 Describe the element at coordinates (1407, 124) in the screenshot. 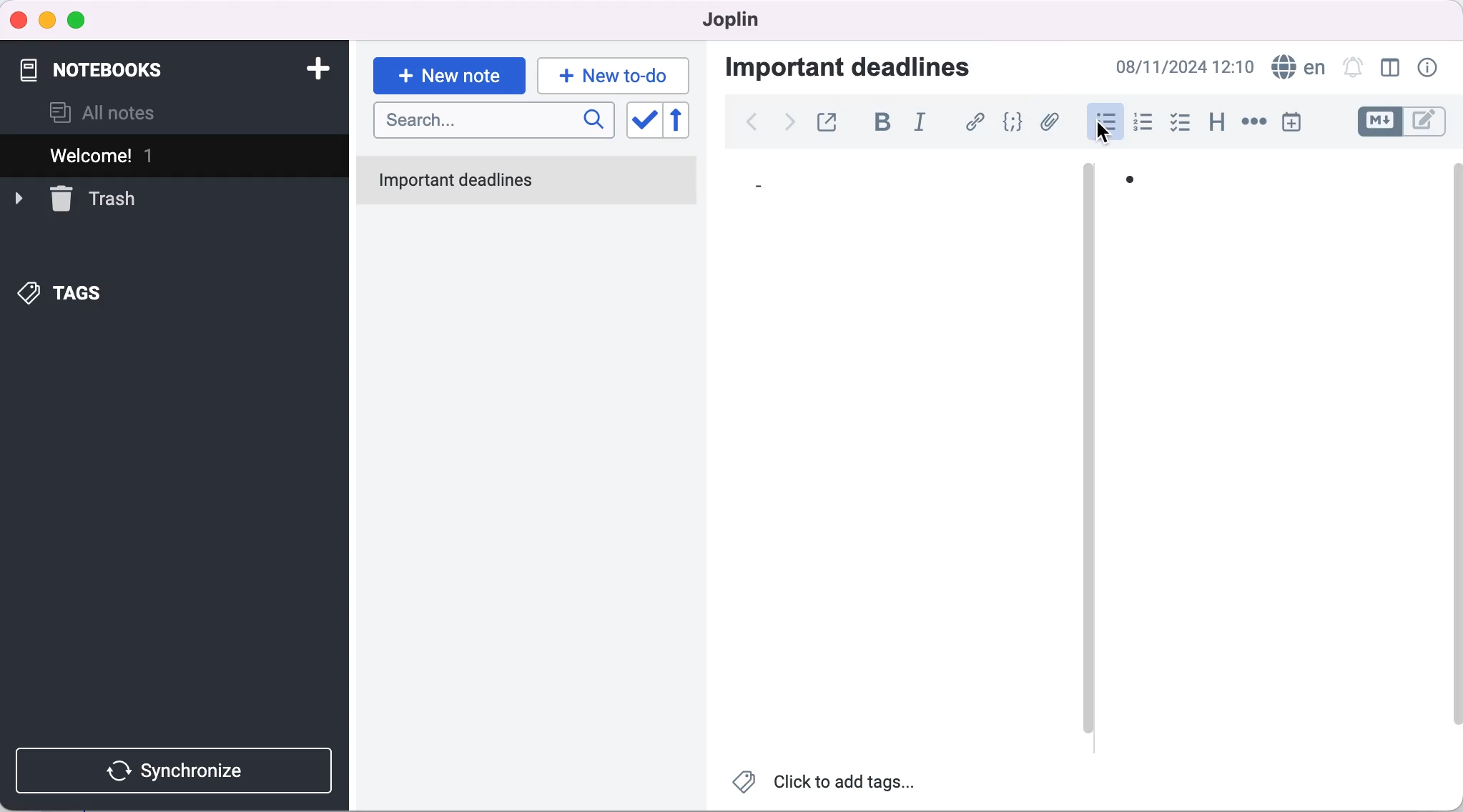

I see `toggle editors` at that location.